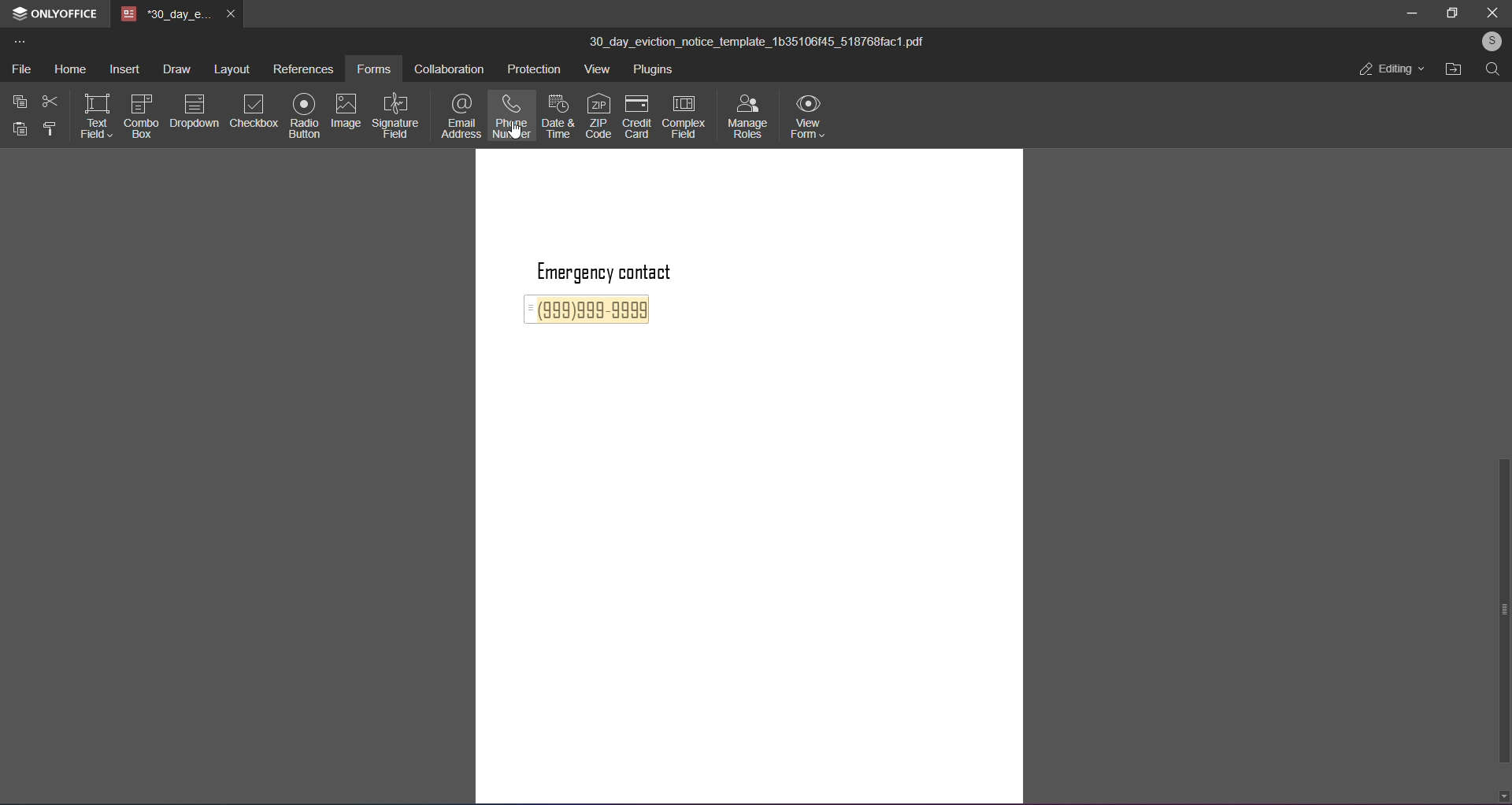 Image resolution: width=1512 pixels, height=805 pixels. Describe the element at coordinates (451, 70) in the screenshot. I see `collaboration` at that location.